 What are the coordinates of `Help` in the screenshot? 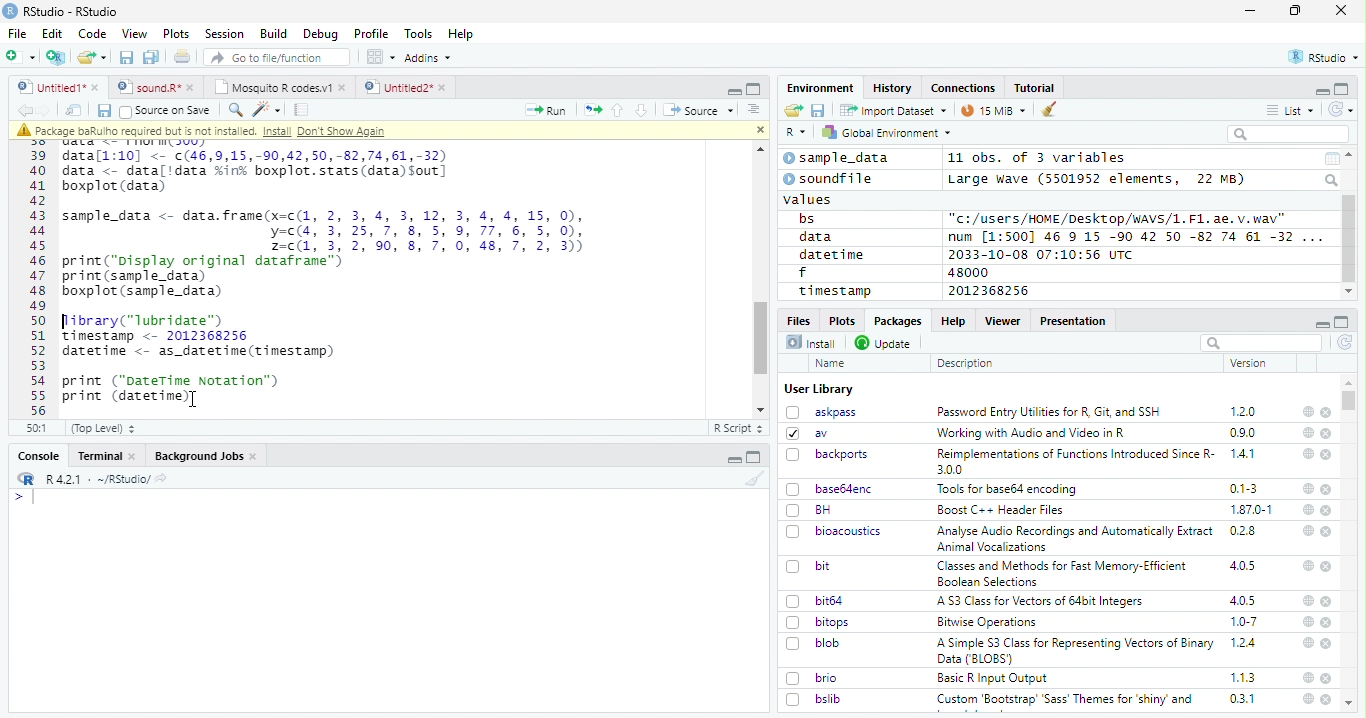 It's located at (952, 320).